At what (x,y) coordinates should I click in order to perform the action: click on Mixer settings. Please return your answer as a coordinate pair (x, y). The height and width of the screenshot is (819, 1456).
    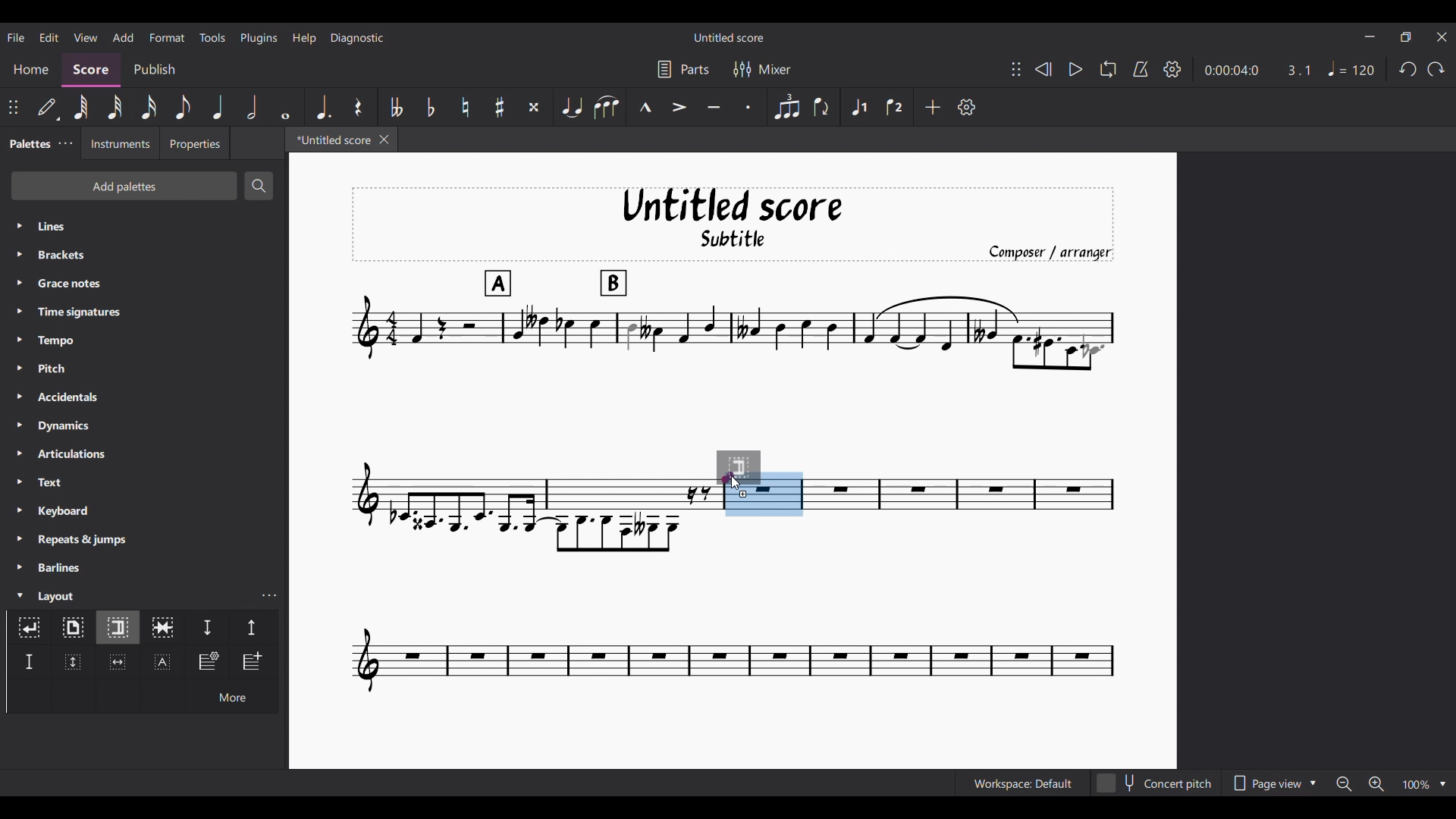
    Looking at the image, I should click on (762, 70).